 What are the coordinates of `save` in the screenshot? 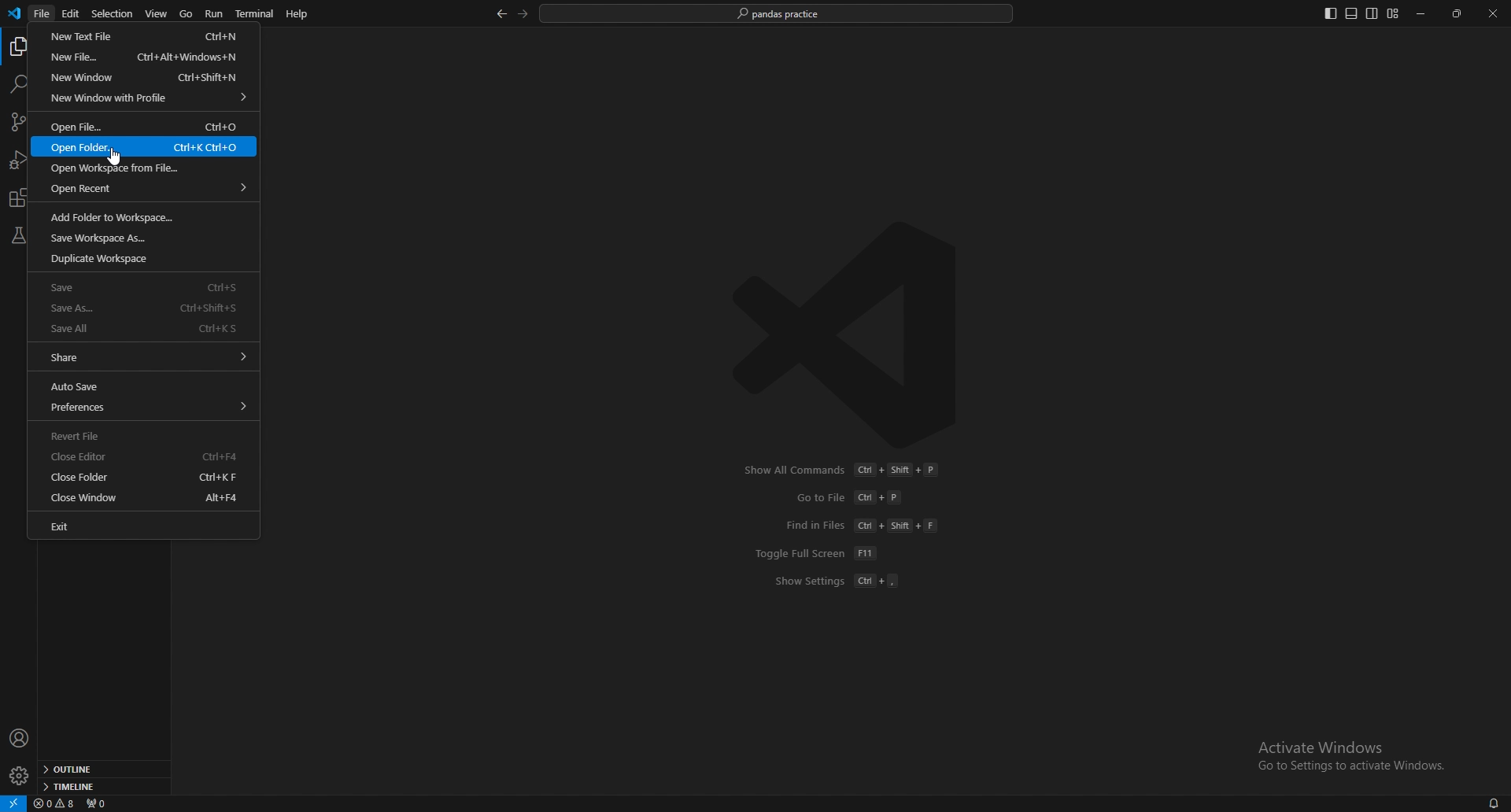 It's located at (142, 286).